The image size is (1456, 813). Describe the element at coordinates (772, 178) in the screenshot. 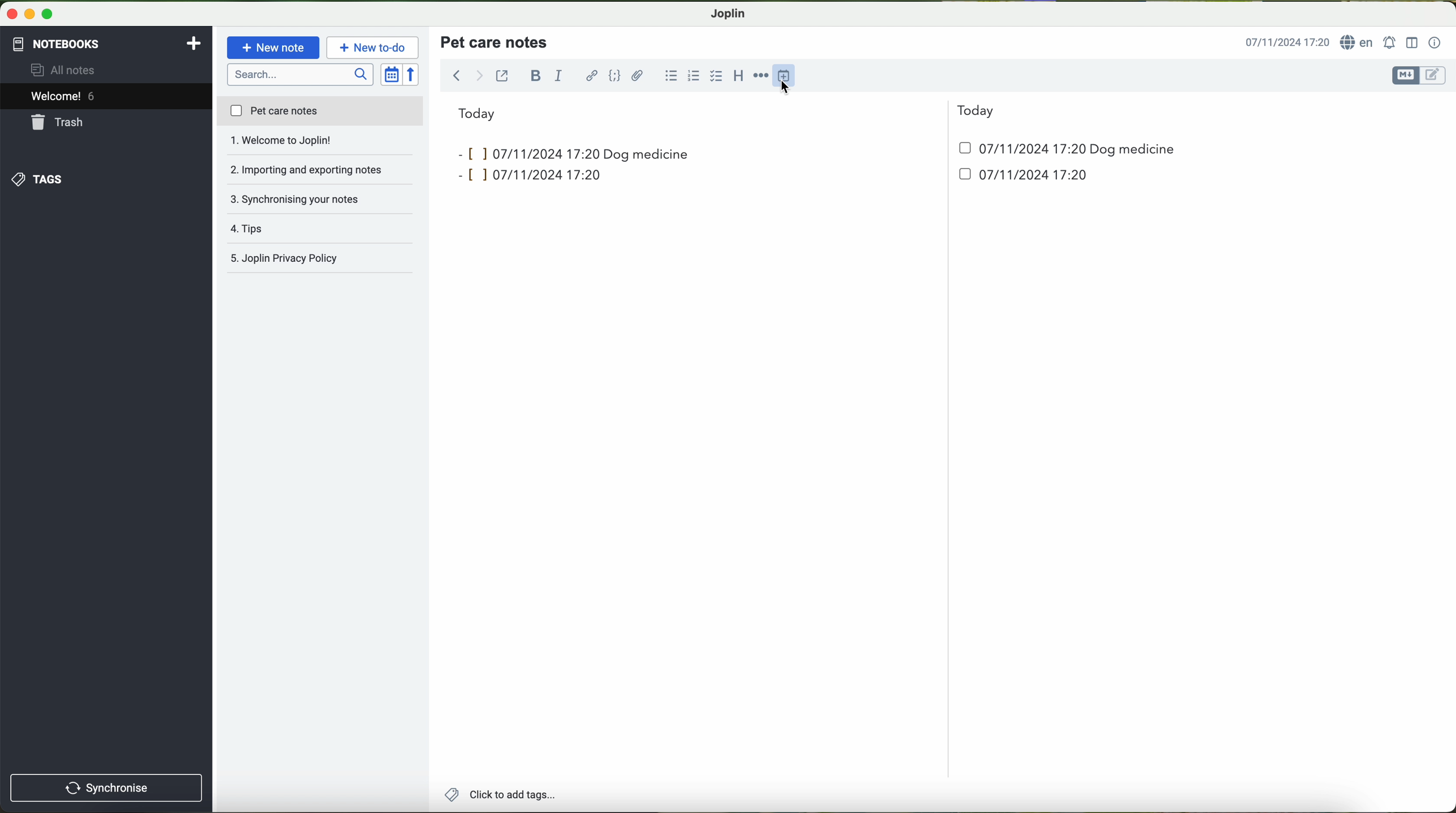

I see `date and hour` at that location.